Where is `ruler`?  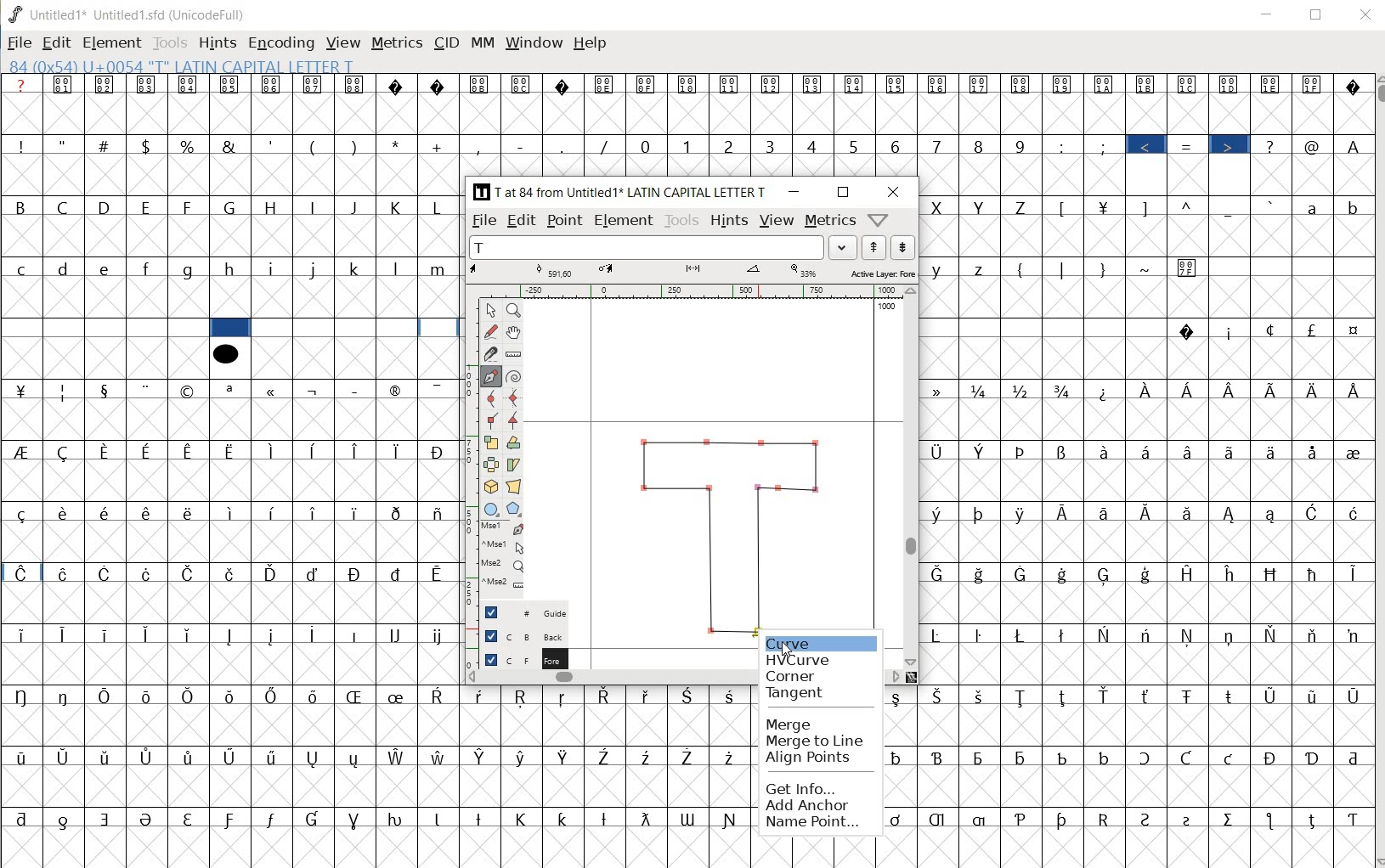 ruler is located at coordinates (467, 448).